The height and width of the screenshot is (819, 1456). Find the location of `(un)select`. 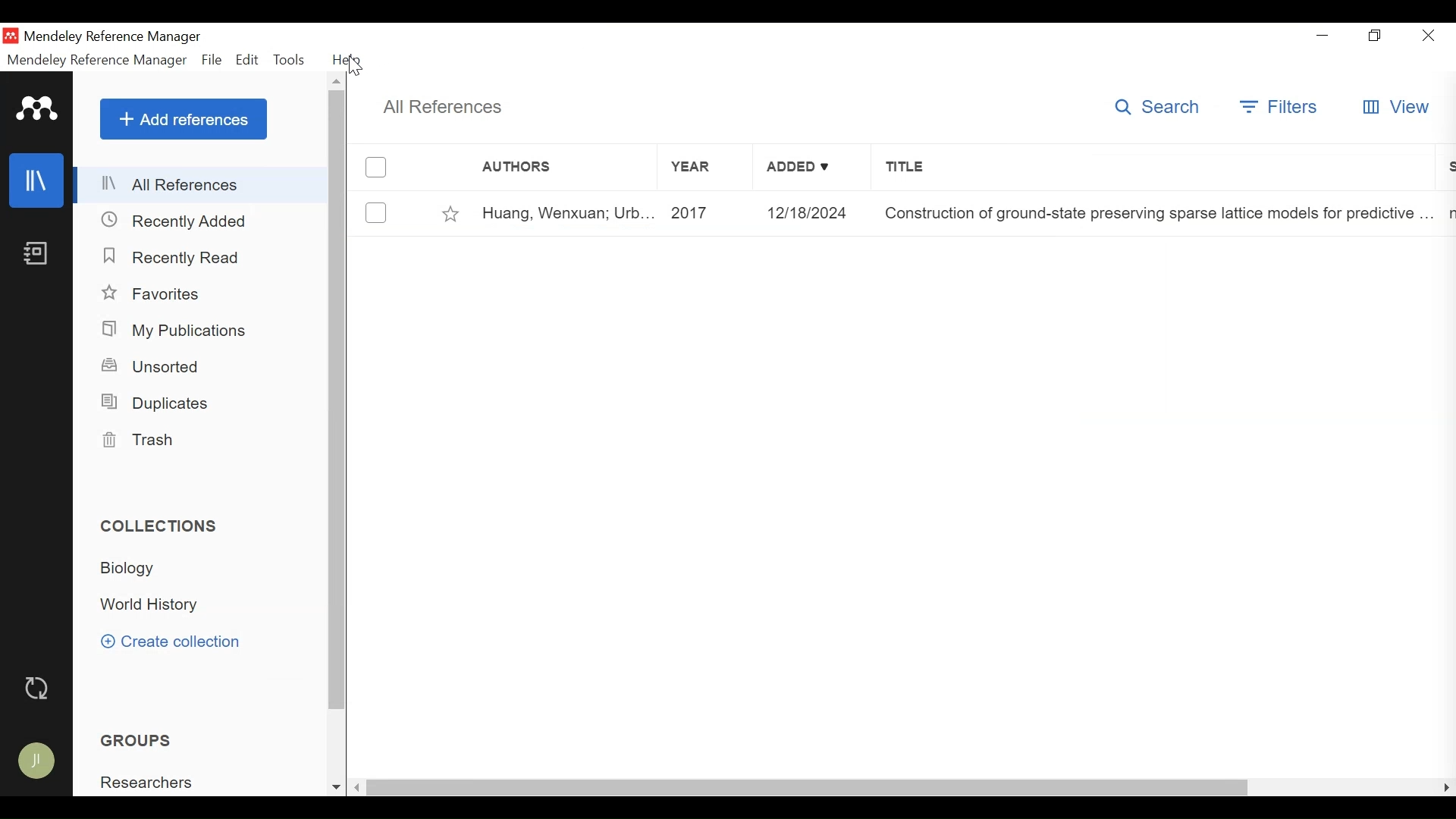

(un)select is located at coordinates (380, 215).